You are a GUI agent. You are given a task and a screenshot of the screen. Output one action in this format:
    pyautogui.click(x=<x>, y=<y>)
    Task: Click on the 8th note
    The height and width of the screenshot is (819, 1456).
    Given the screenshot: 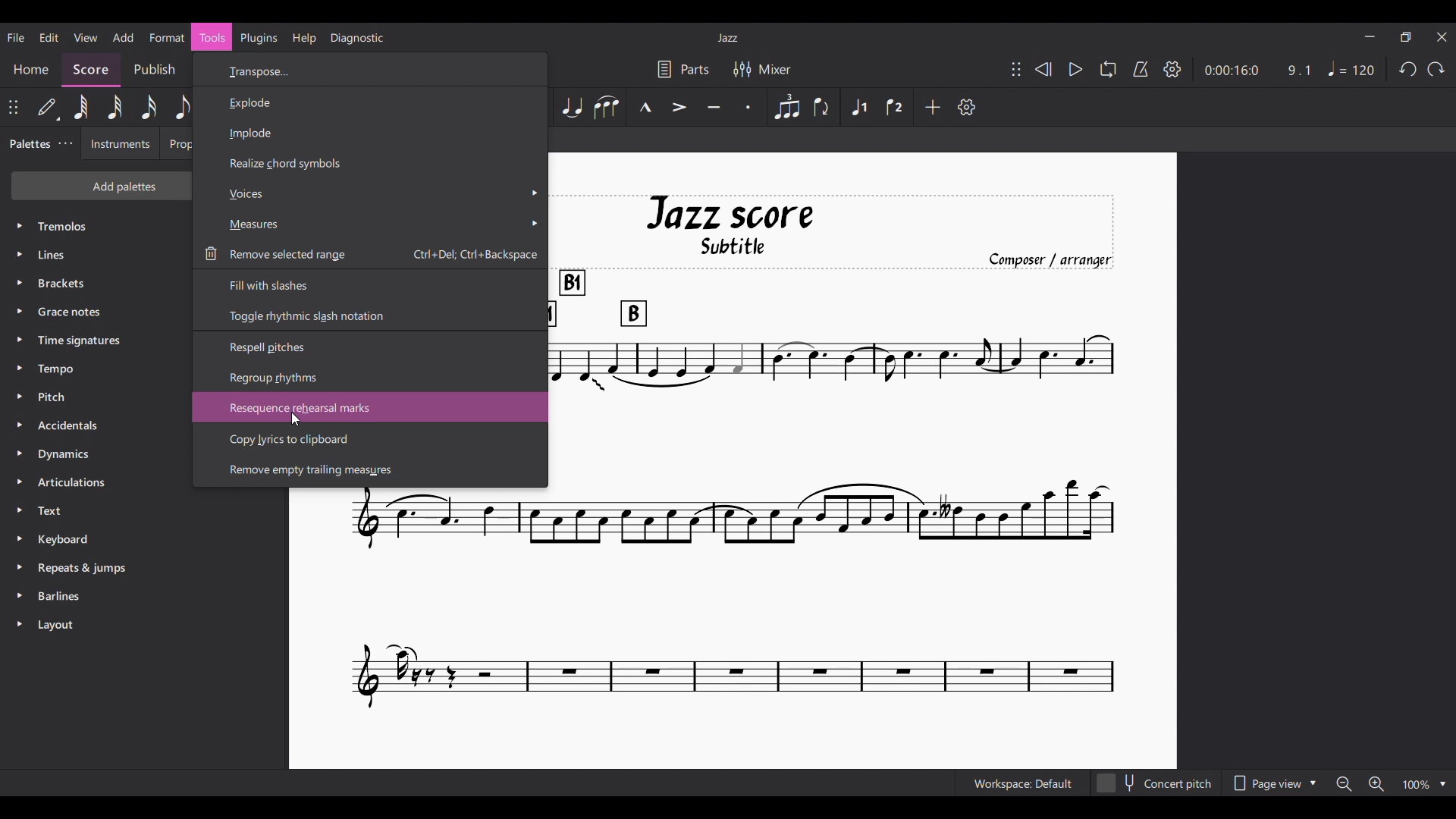 What is the action you would take?
    pyautogui.click(x=180, y=108)
    